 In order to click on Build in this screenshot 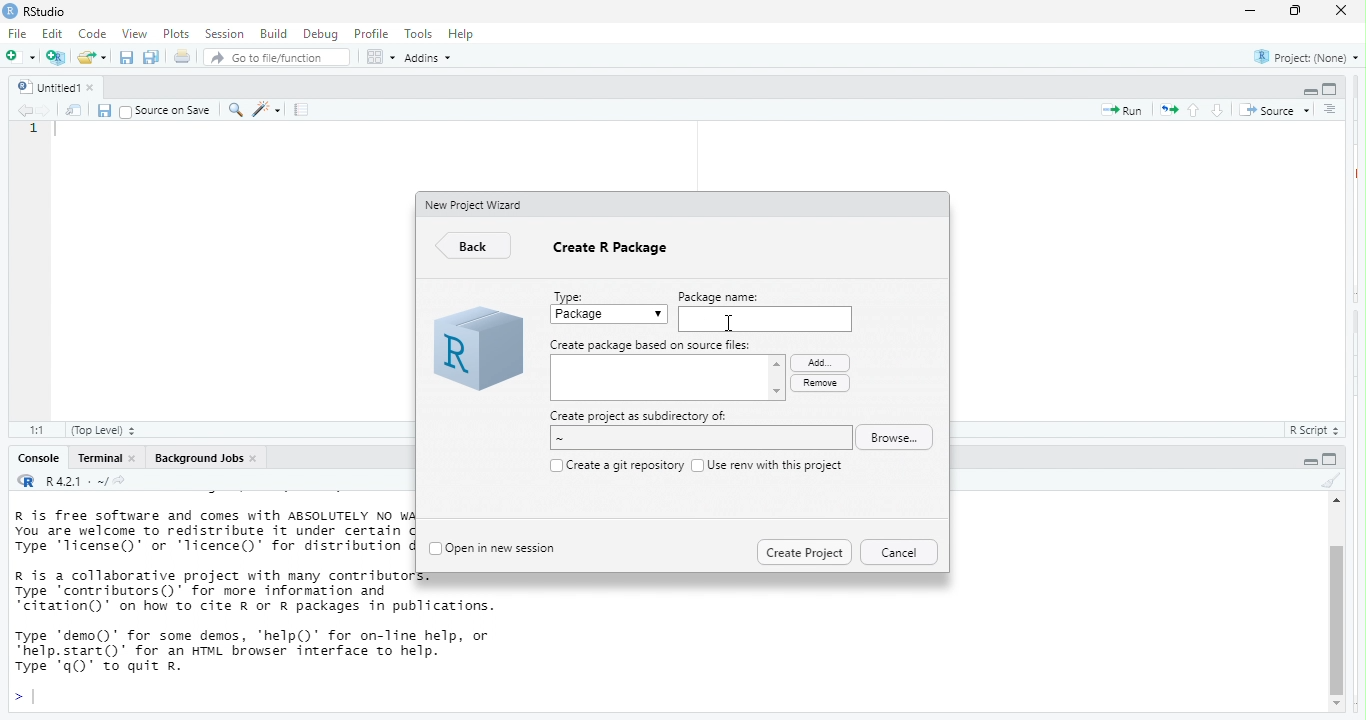, I will do `click(273, 33)`.